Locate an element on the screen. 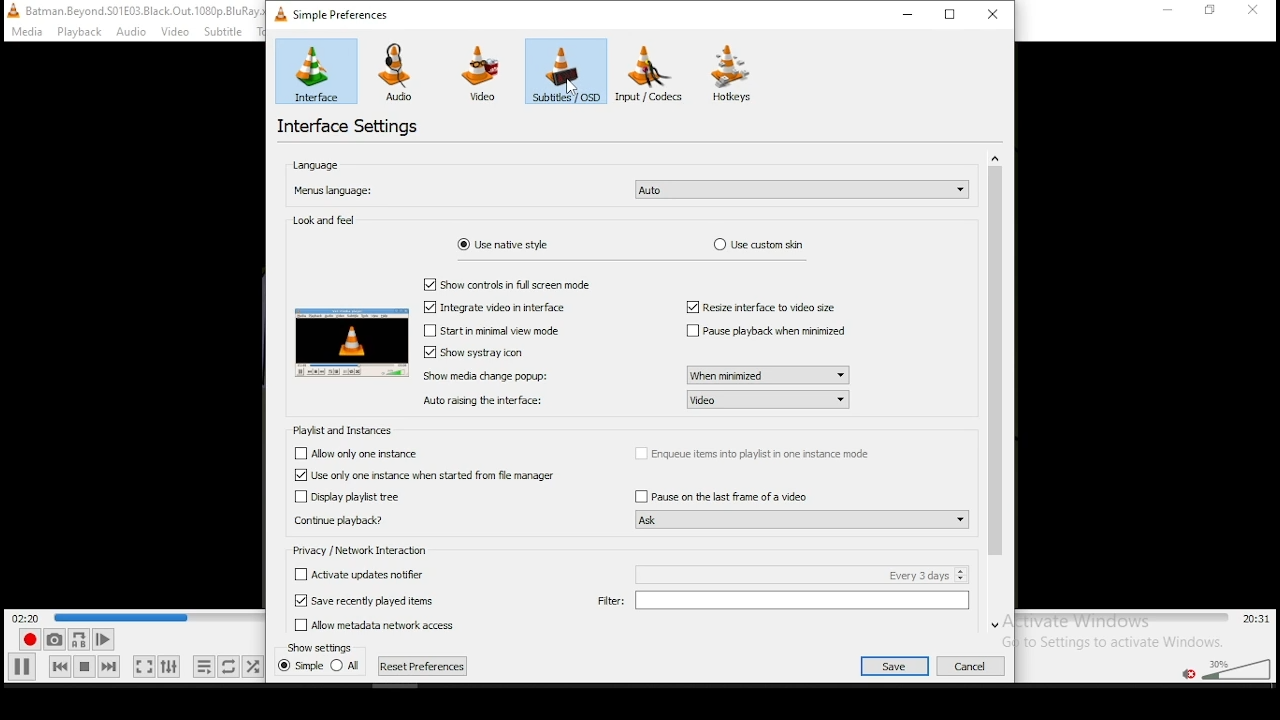  show settings is located at coordinates (322, 647).